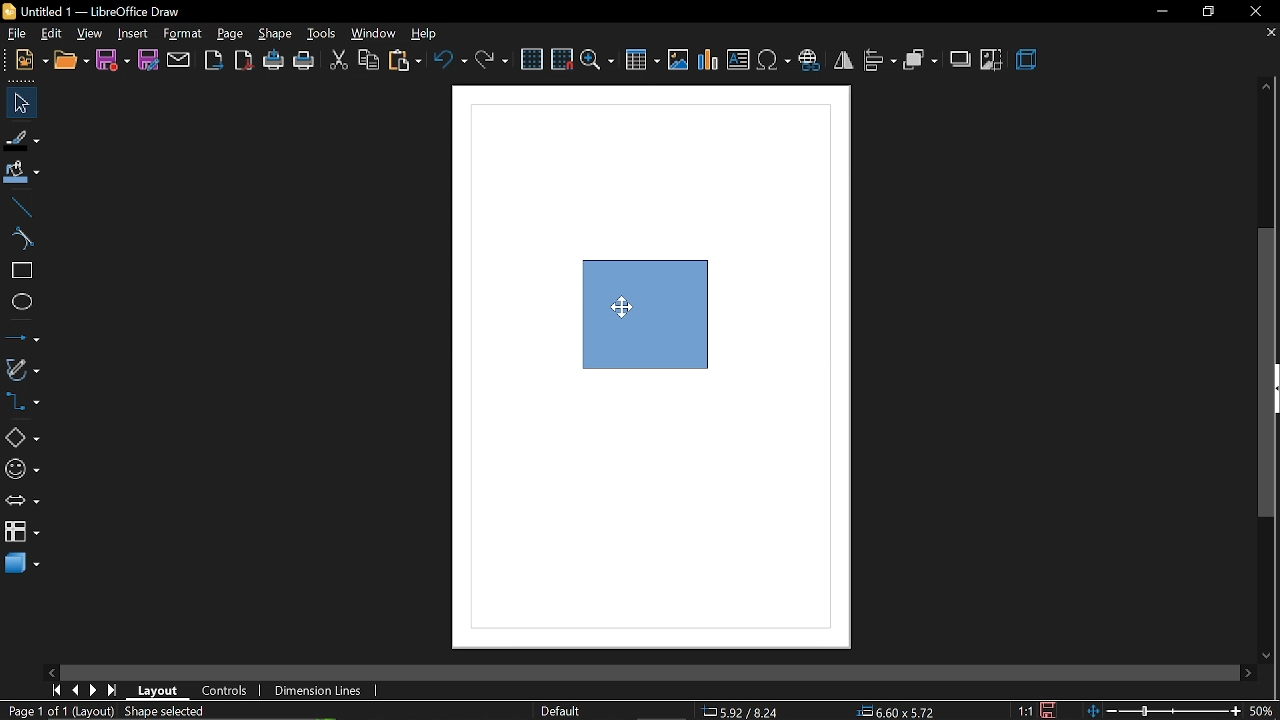 The image size is (1280, 720). What do you see at coordinates (160, 689) in the screenshot?
I see `layout` at bounding box center [160, 689].